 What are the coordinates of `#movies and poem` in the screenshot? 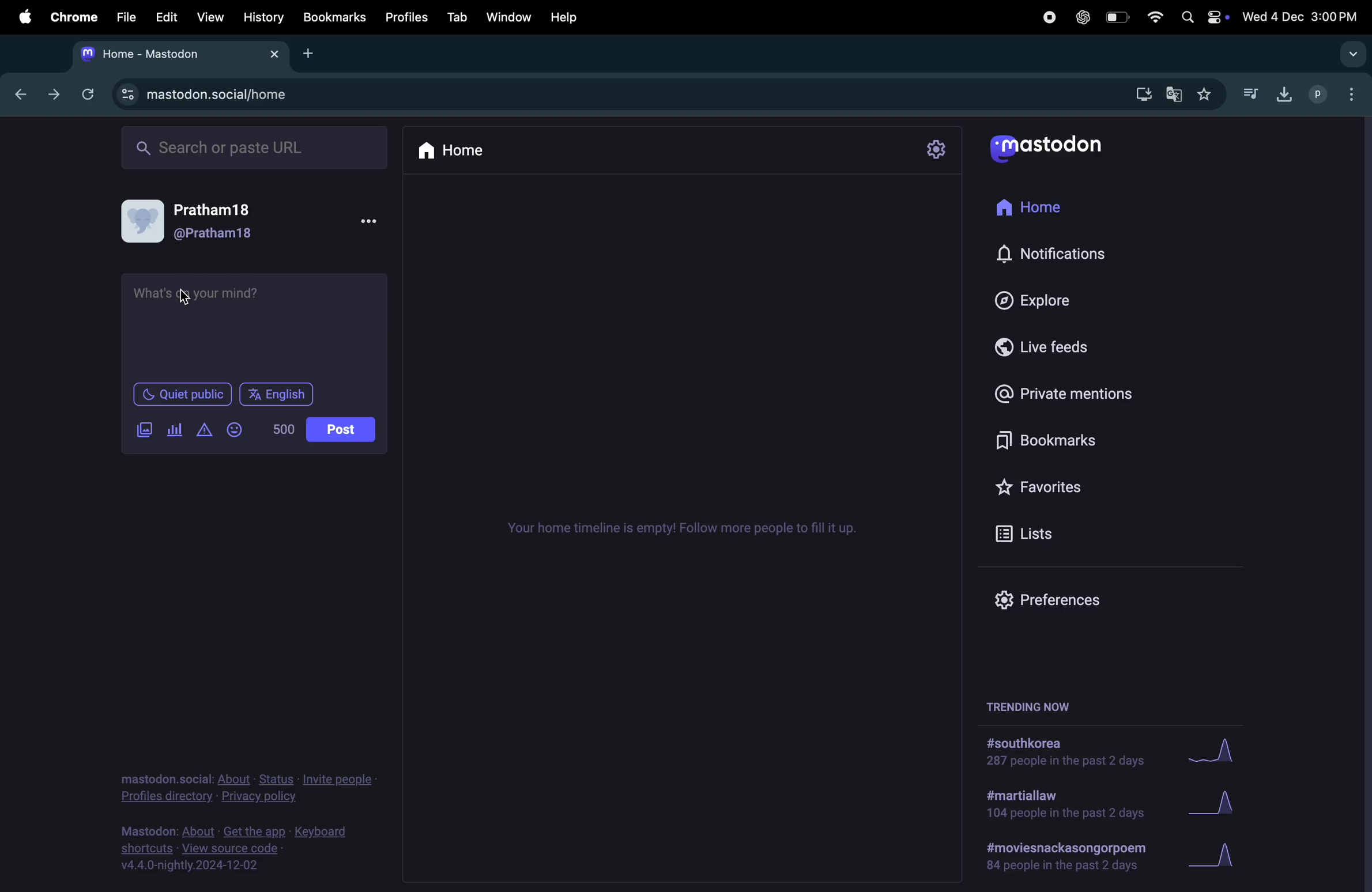 It's located at (1063, 859).